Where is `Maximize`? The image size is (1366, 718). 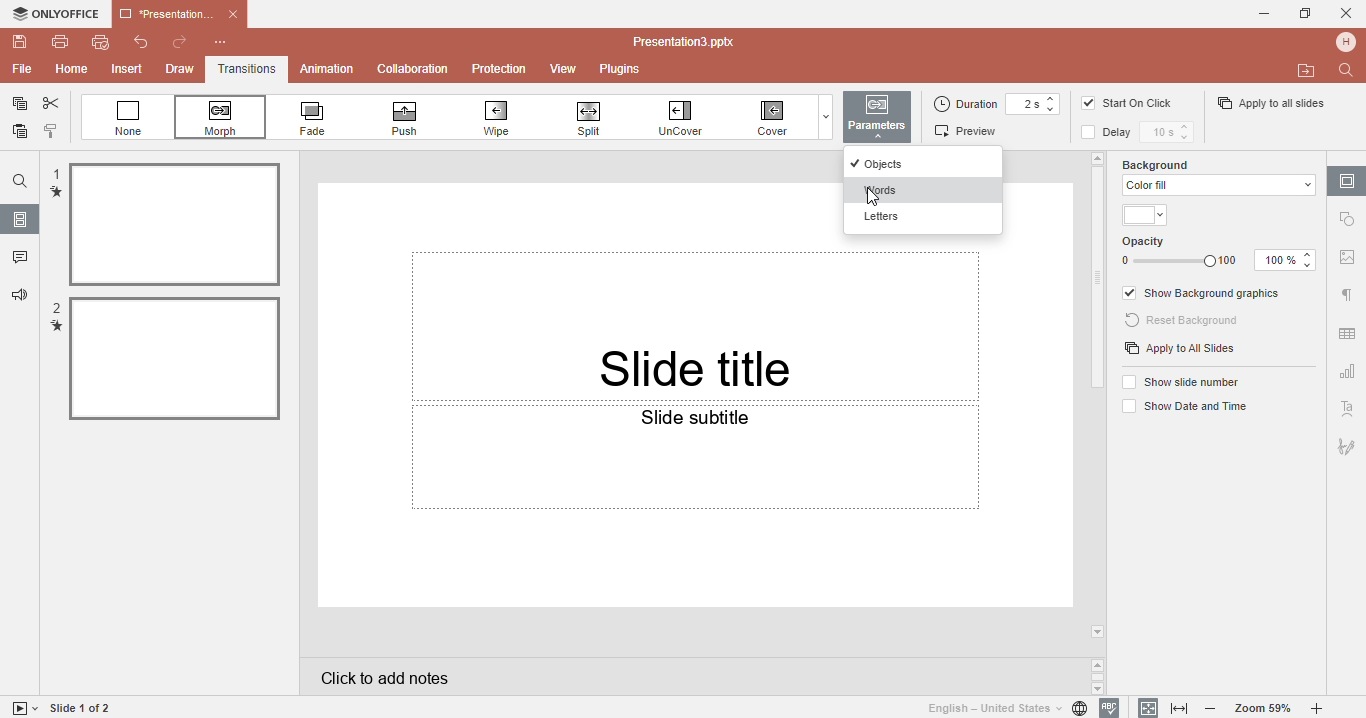
Maximize is located at coordinates (1306, 12).